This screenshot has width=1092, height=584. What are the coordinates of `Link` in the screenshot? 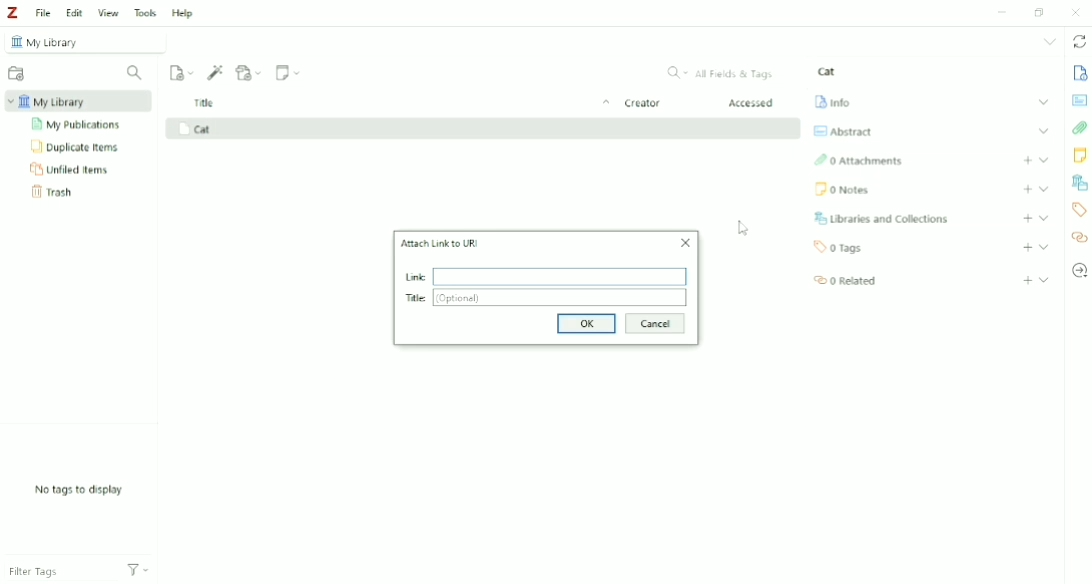 It's located at (411, 278).